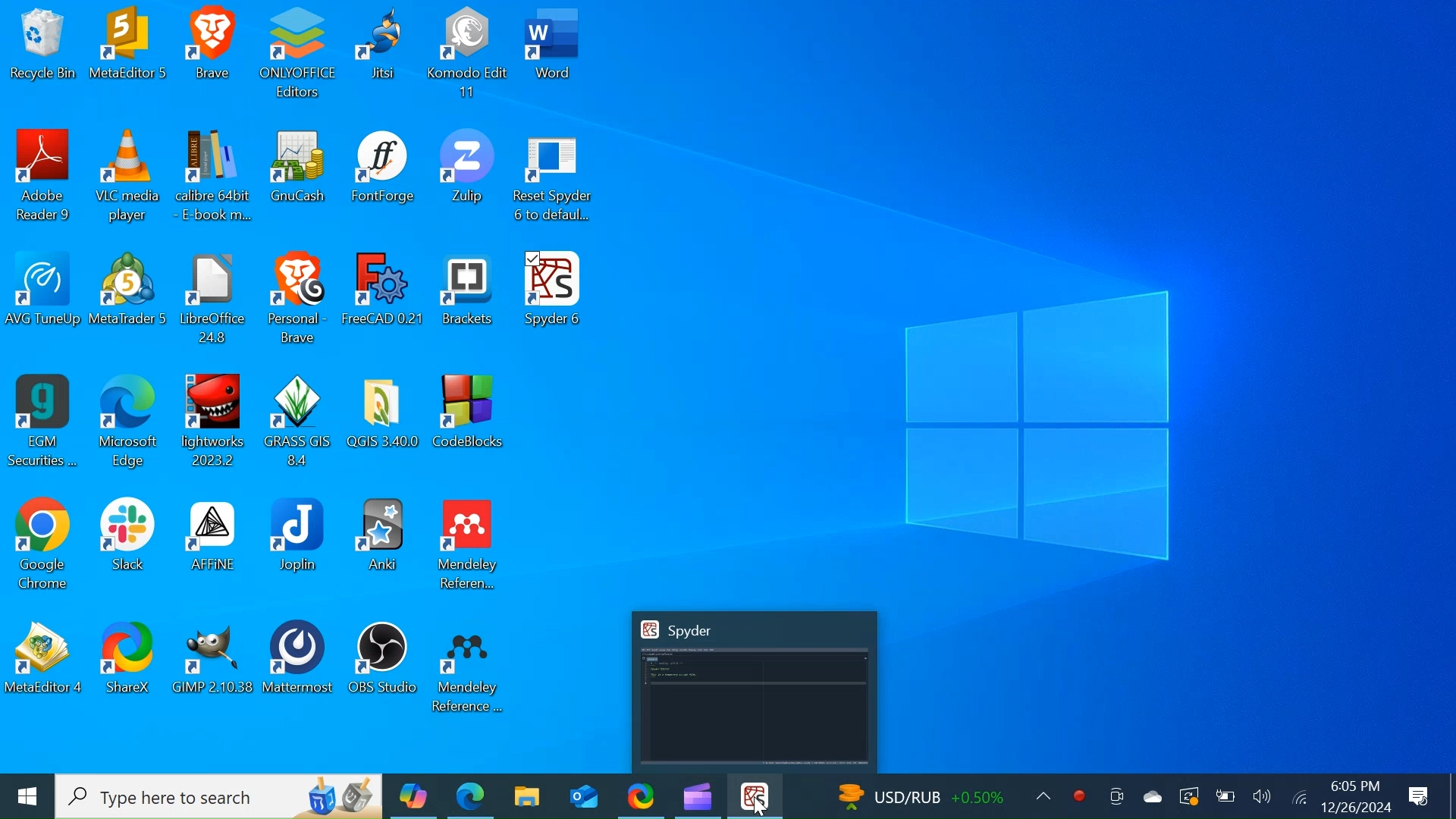 The width and height of the screenshot is (1456, 819). What do you see at coordinates (215, 300) in the screenshot?
I see `File` at bounding box center [215, 300].